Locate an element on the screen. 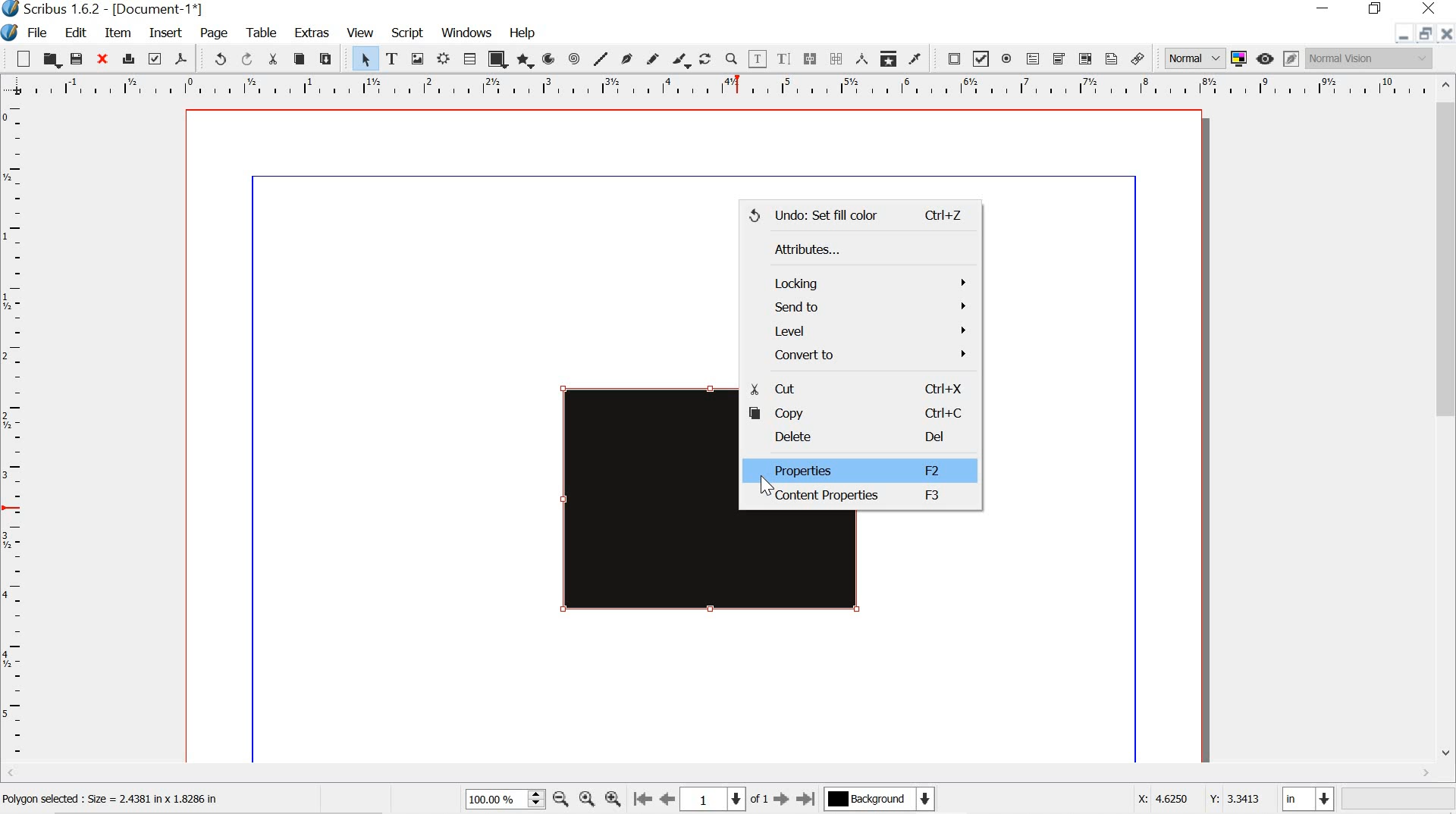  1 is located at coordinates (712, 800).